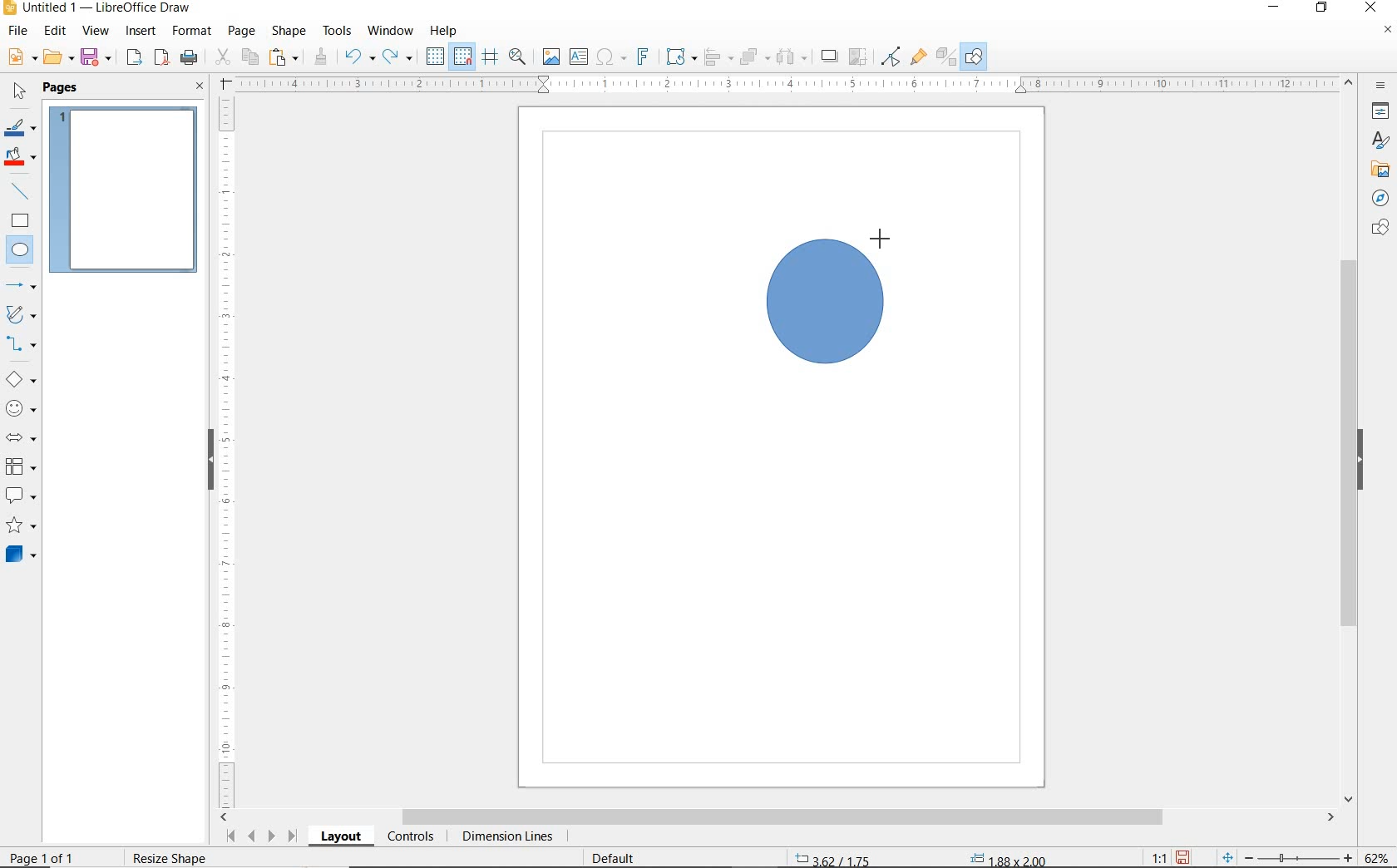  Describe the element at coordinates (20, 496) in the screenshot. I see `CALLOUT SHAPES` at that location.